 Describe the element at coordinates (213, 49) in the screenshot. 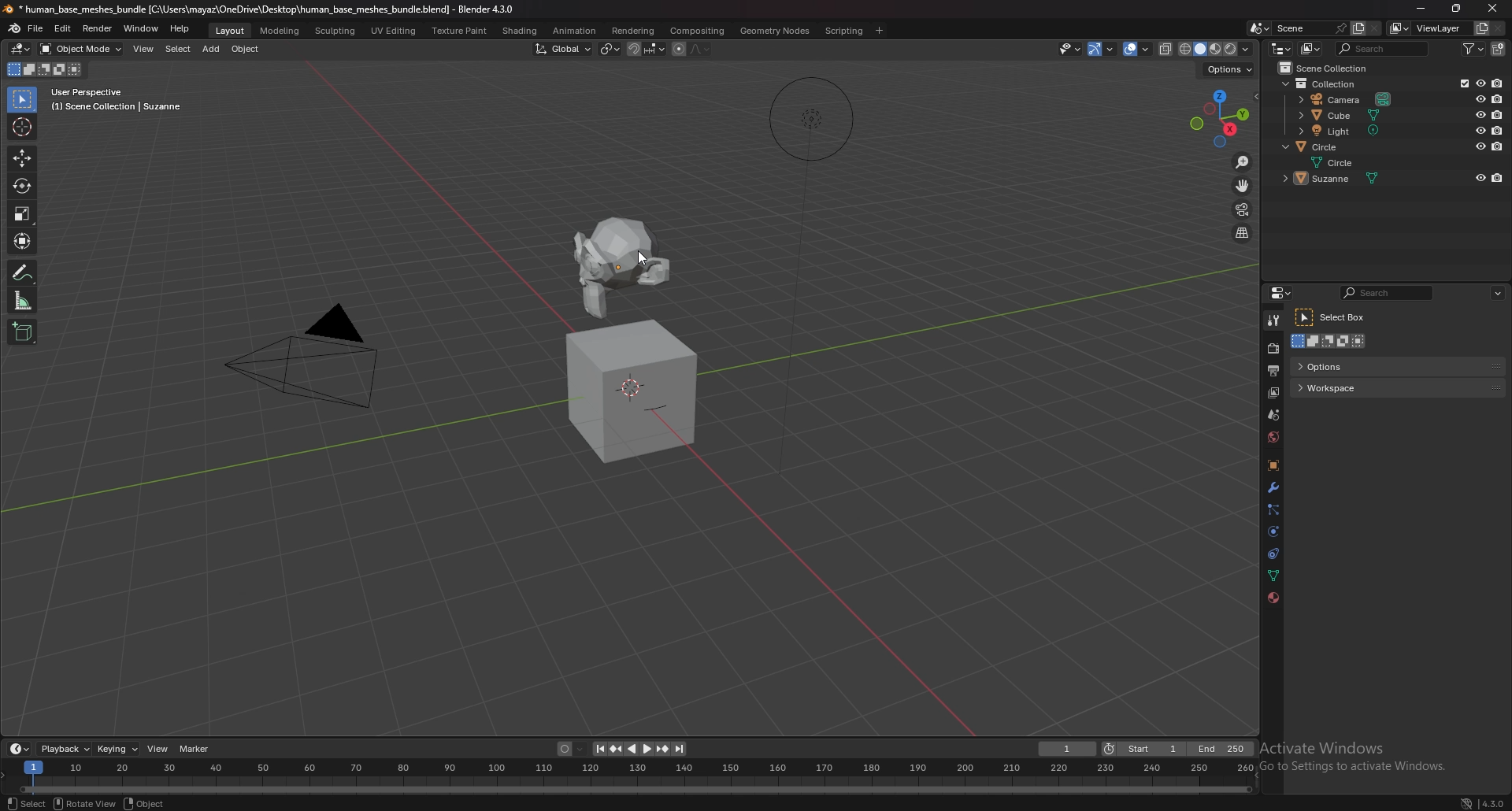

I see `add` at that location.